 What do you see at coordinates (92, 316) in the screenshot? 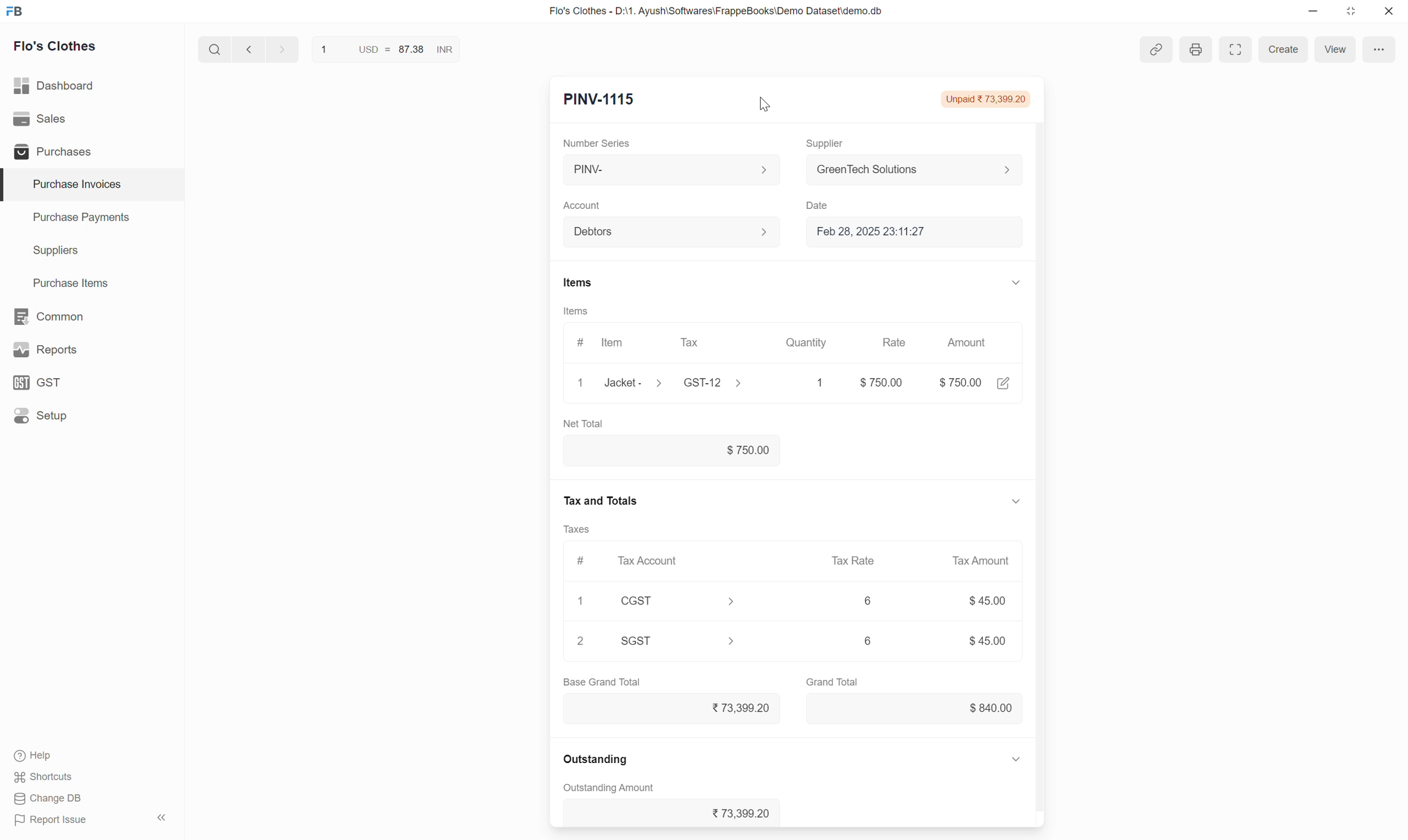
I see `Common` at bounding box center [92, 316].